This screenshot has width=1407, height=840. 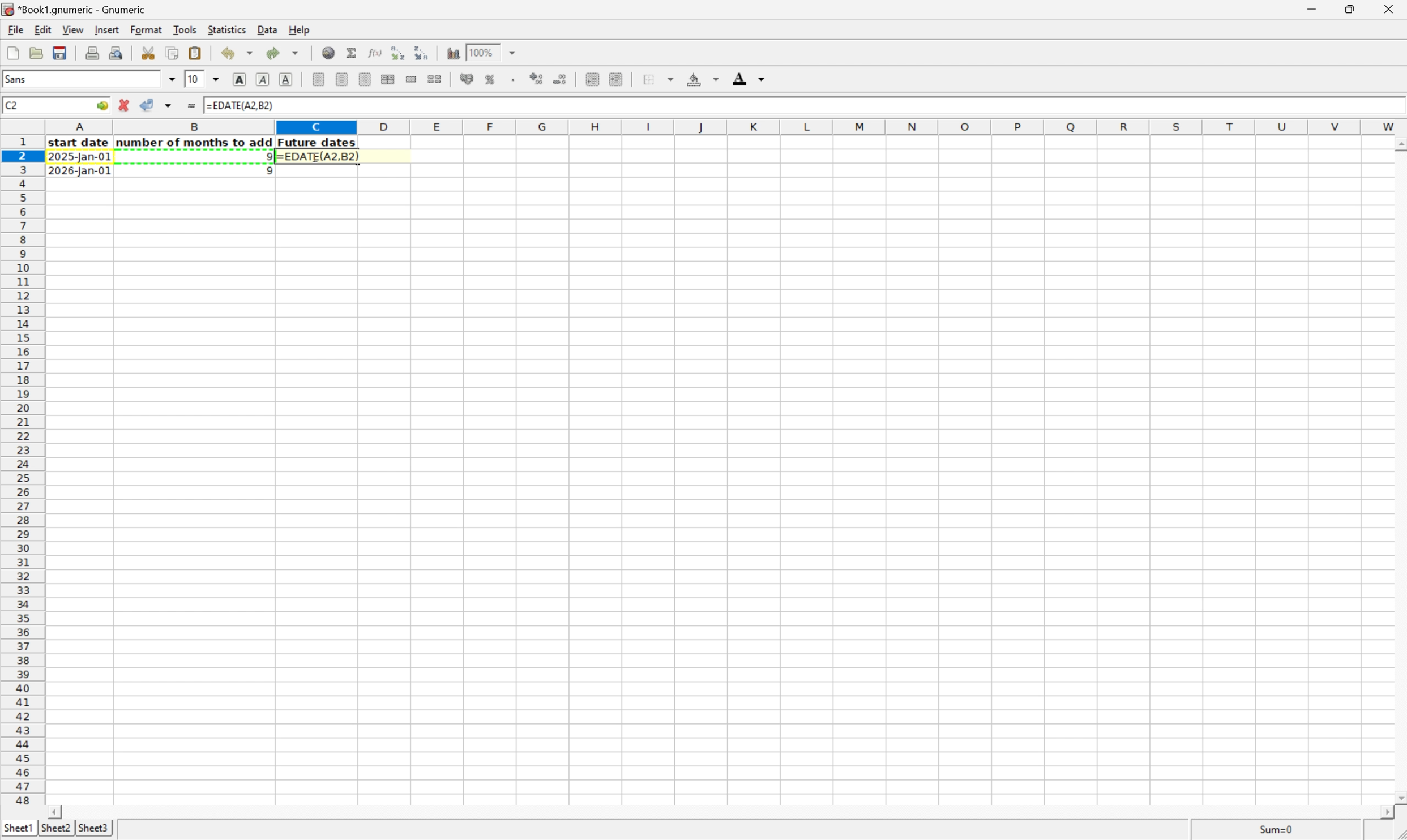 I want to click on 10, so click(x=194, y=79).